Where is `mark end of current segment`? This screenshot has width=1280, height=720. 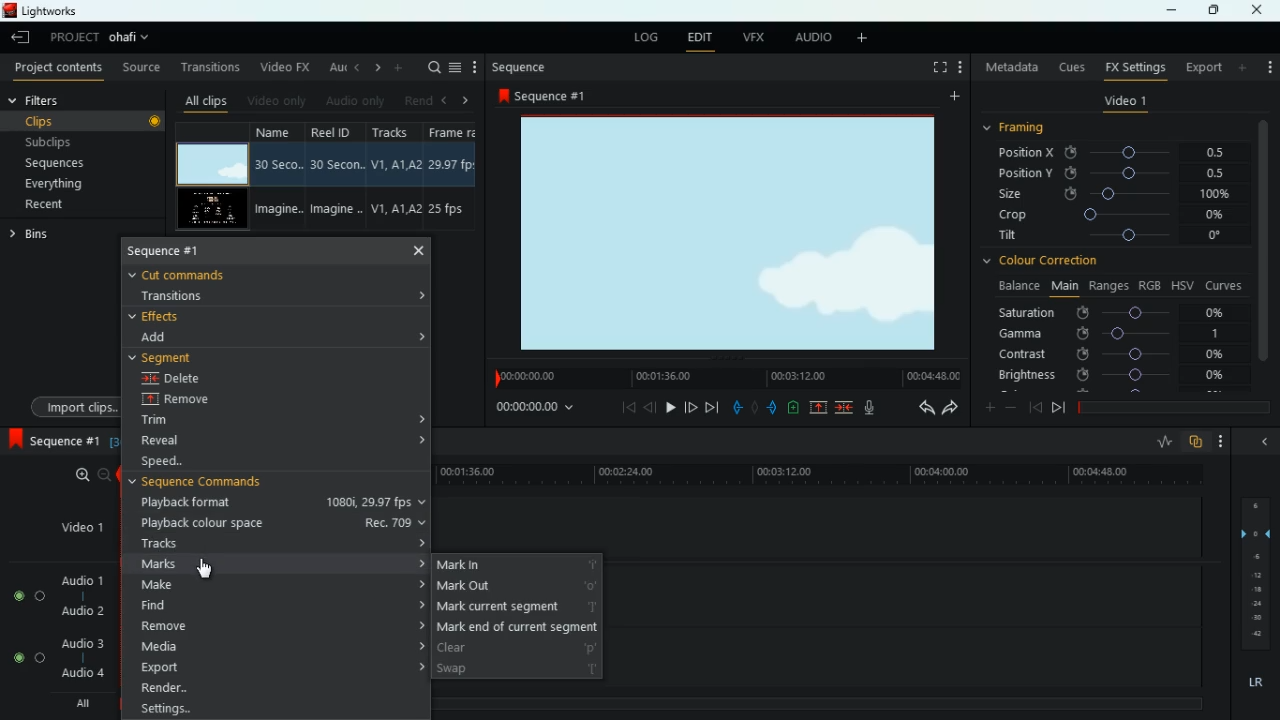 mark end of current segment is located at coordinates (522, 625).